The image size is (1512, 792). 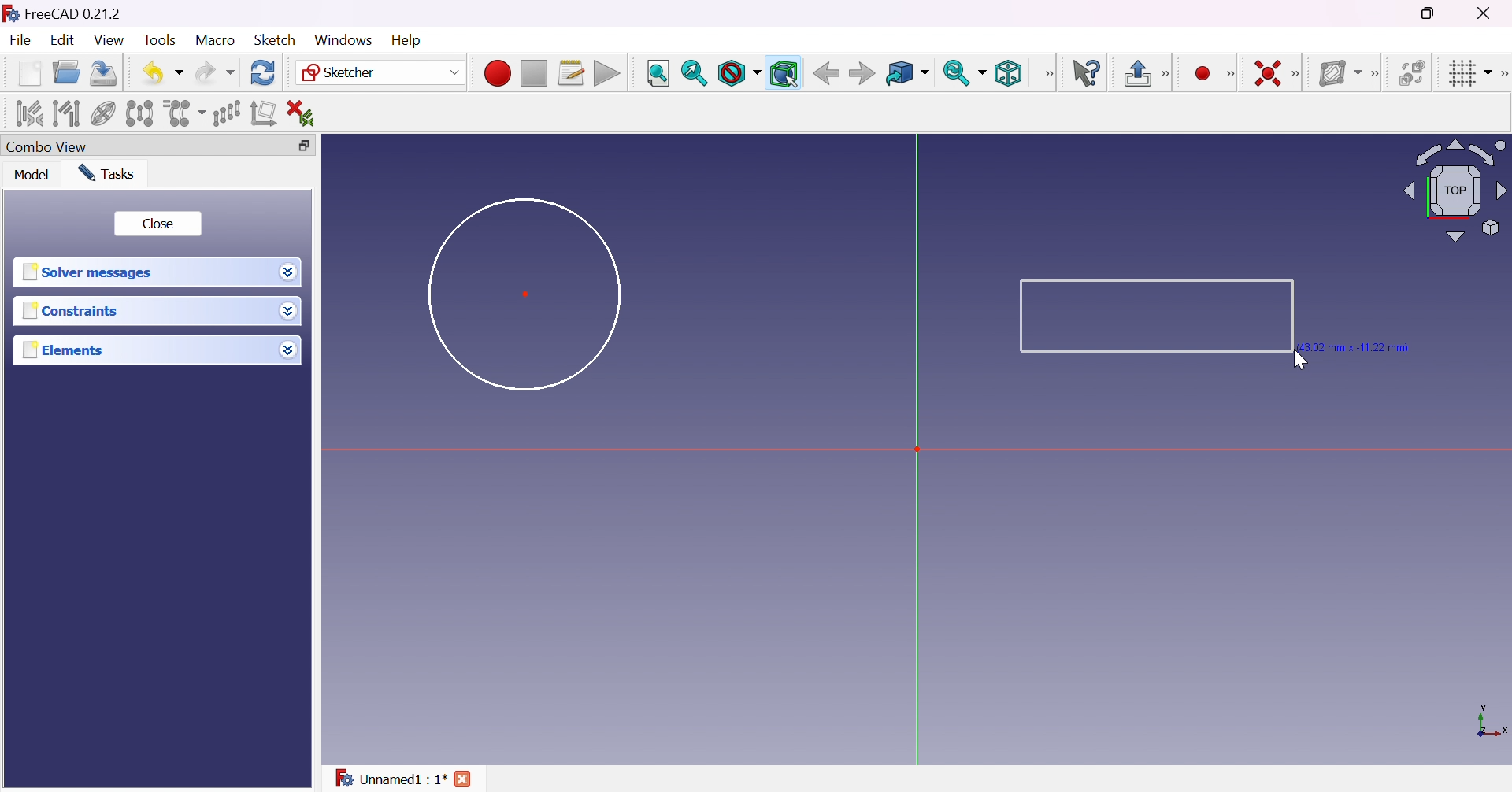 What do you see at coordinates (101, 72) in the screenshot?
I see `Save` at bounding box center [101, 72].